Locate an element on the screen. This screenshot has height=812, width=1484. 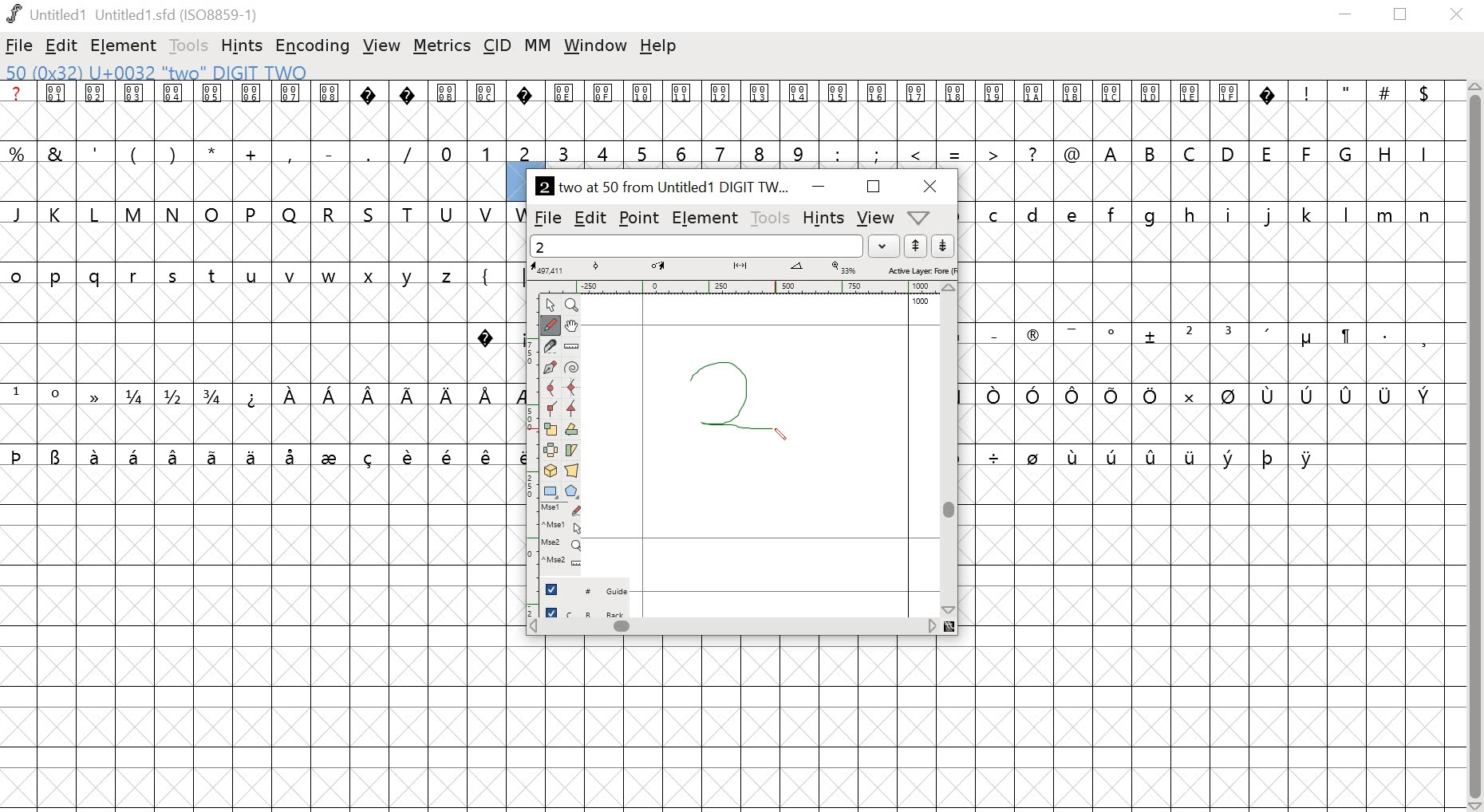
drawing number 2 glyphy is located at coordinates (732, 412).